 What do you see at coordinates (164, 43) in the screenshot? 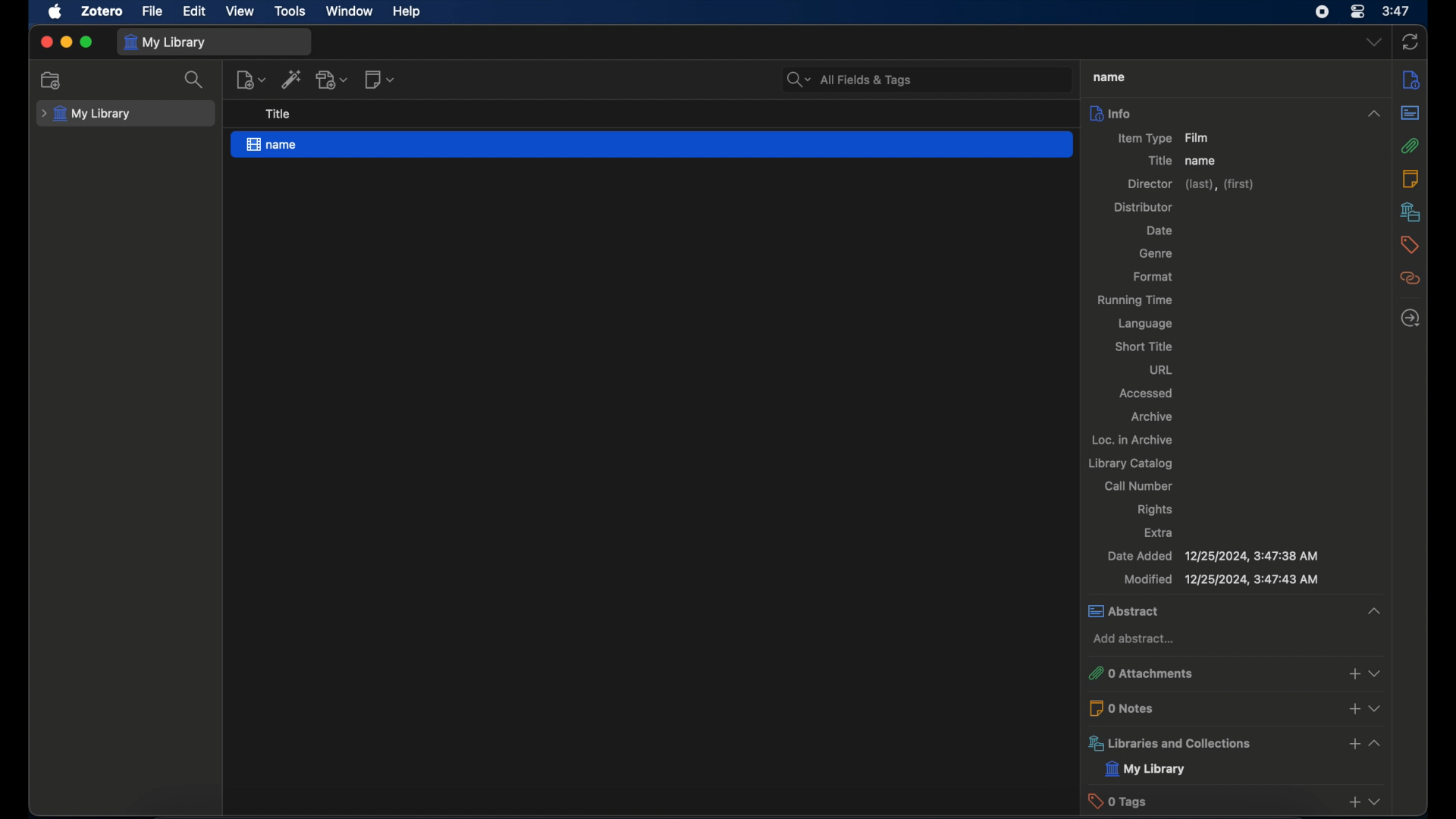
I see `my library` at bounding box center [164, 43].